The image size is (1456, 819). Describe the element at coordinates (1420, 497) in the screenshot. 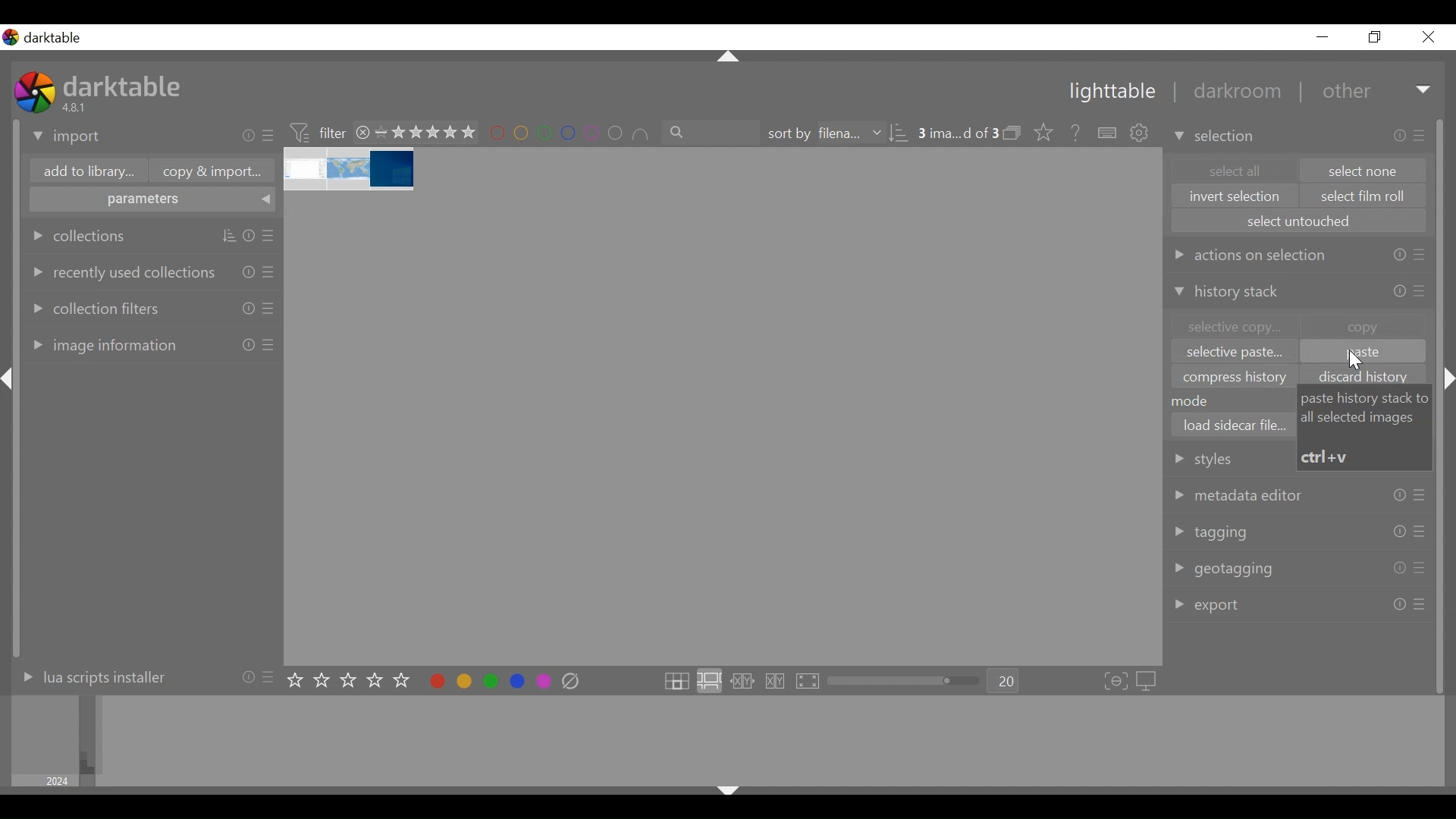

I see `presets` at that location.